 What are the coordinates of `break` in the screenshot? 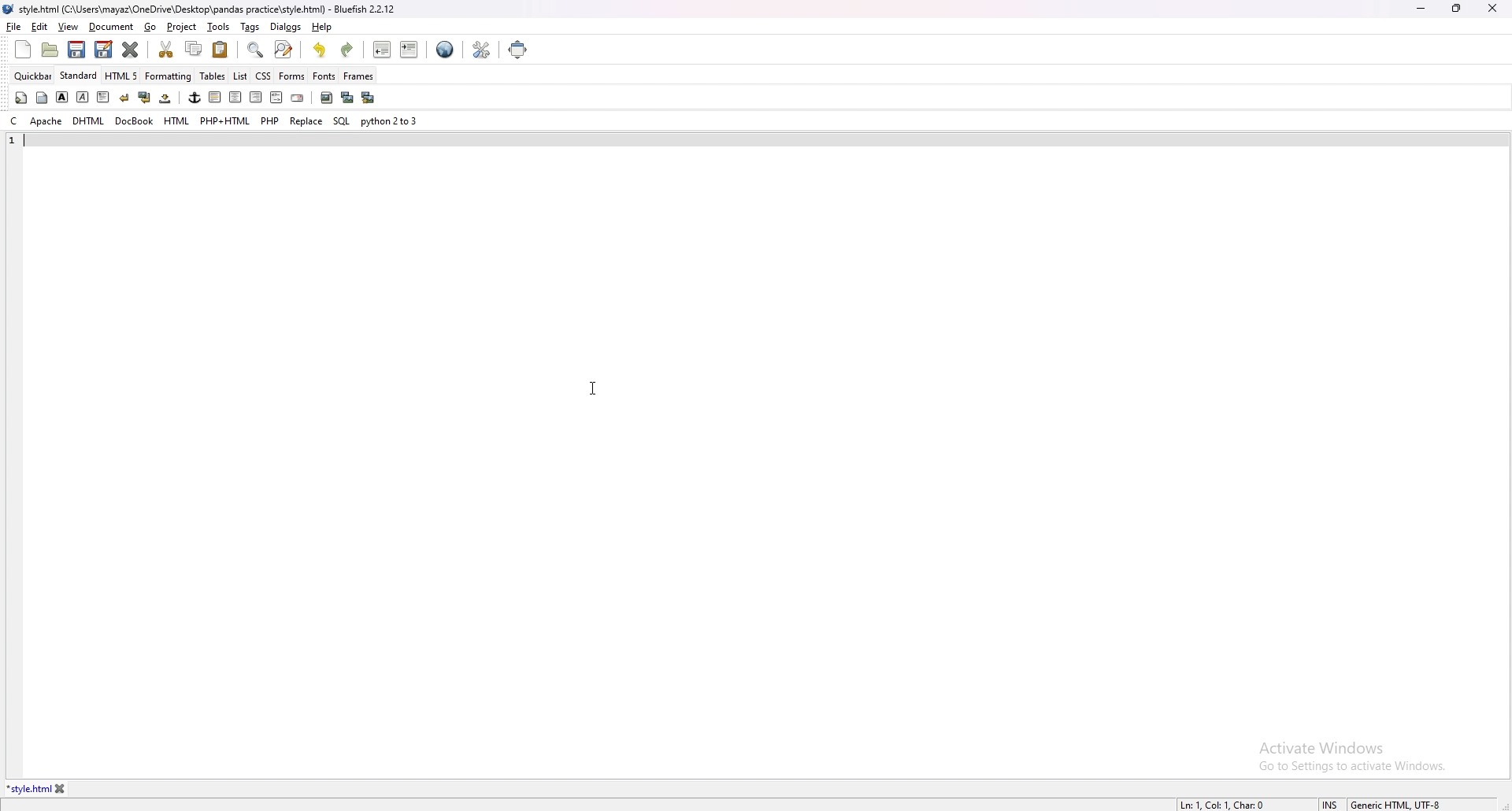 It's located at (124, 97).